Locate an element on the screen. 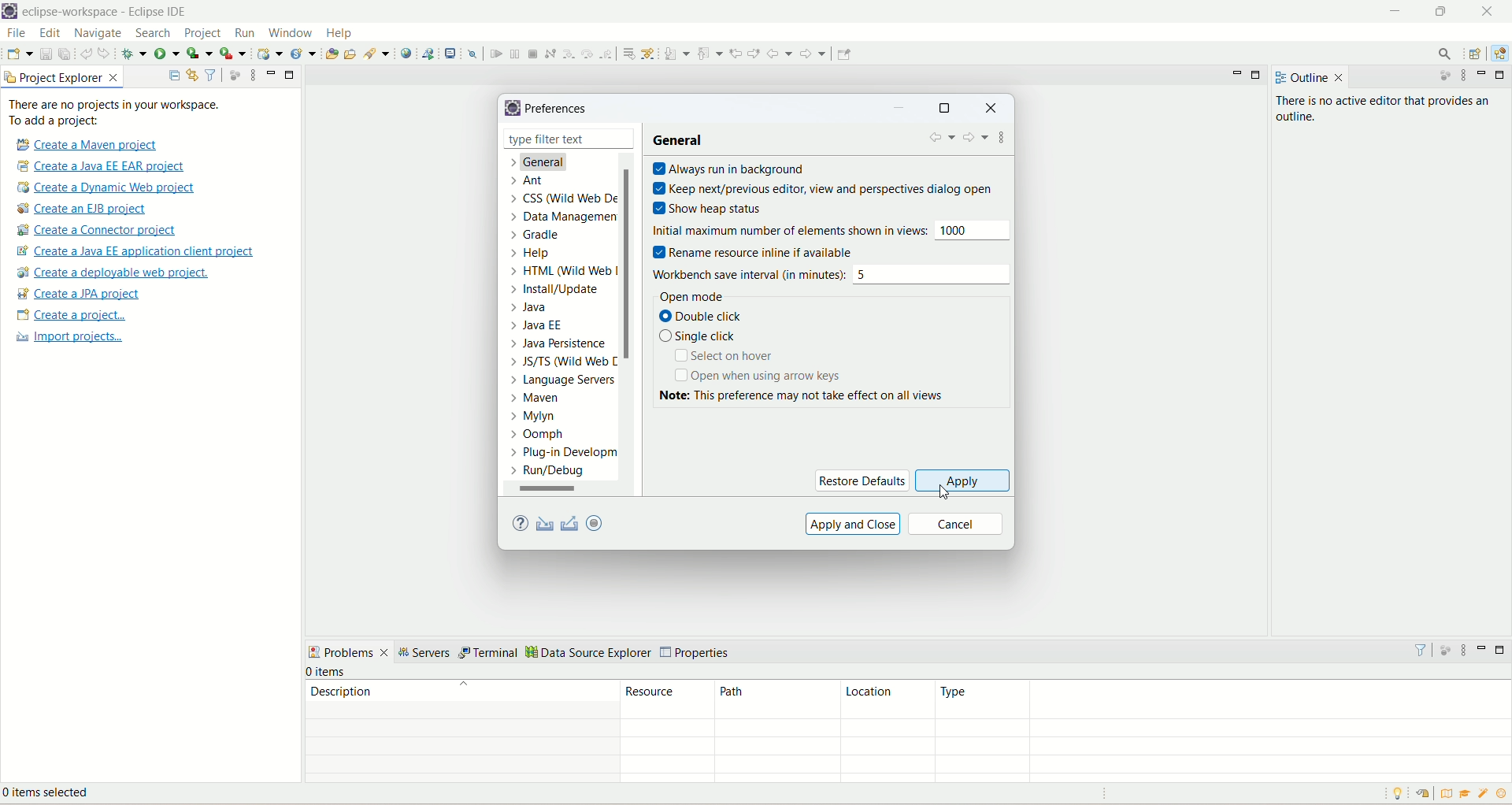 This screenshot has width=1512, height=805. initial maximum number of elements shown in view: 1000 is located at coordinates (833, 229).